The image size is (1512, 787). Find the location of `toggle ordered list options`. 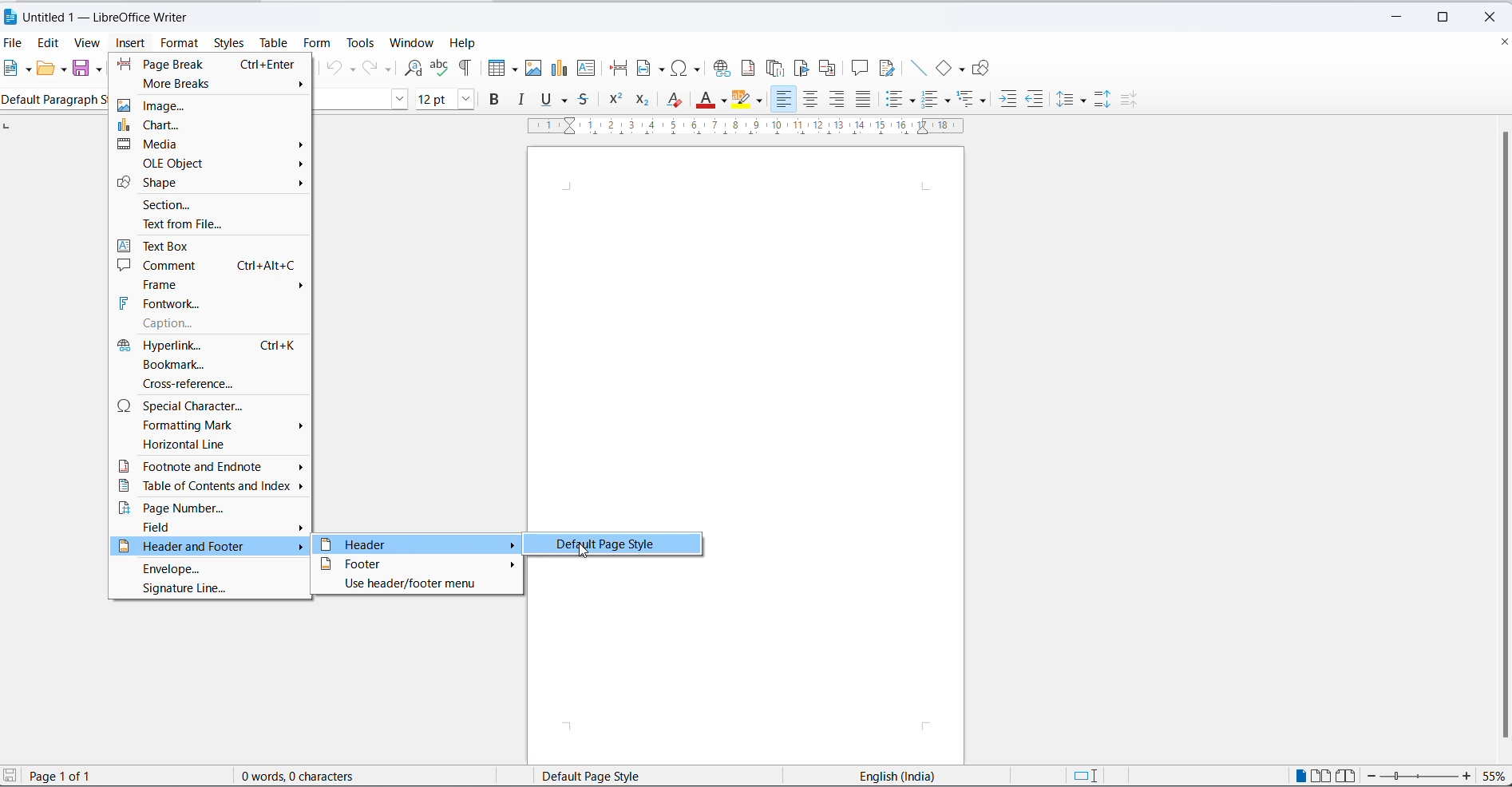

toggle ordered list options is located at coordinates (948, 100).